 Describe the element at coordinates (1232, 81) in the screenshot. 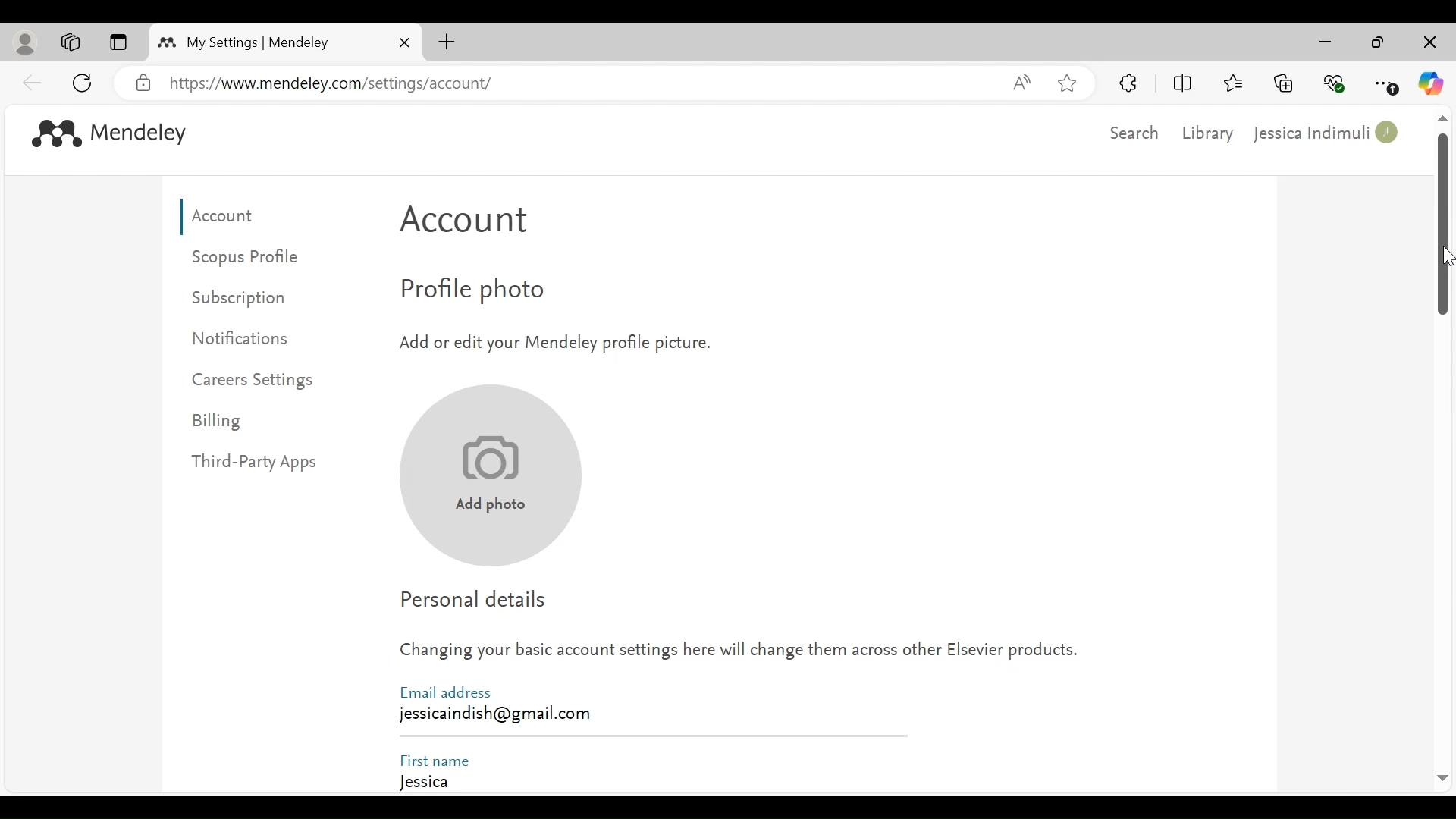

I see `Favorites` at that location.